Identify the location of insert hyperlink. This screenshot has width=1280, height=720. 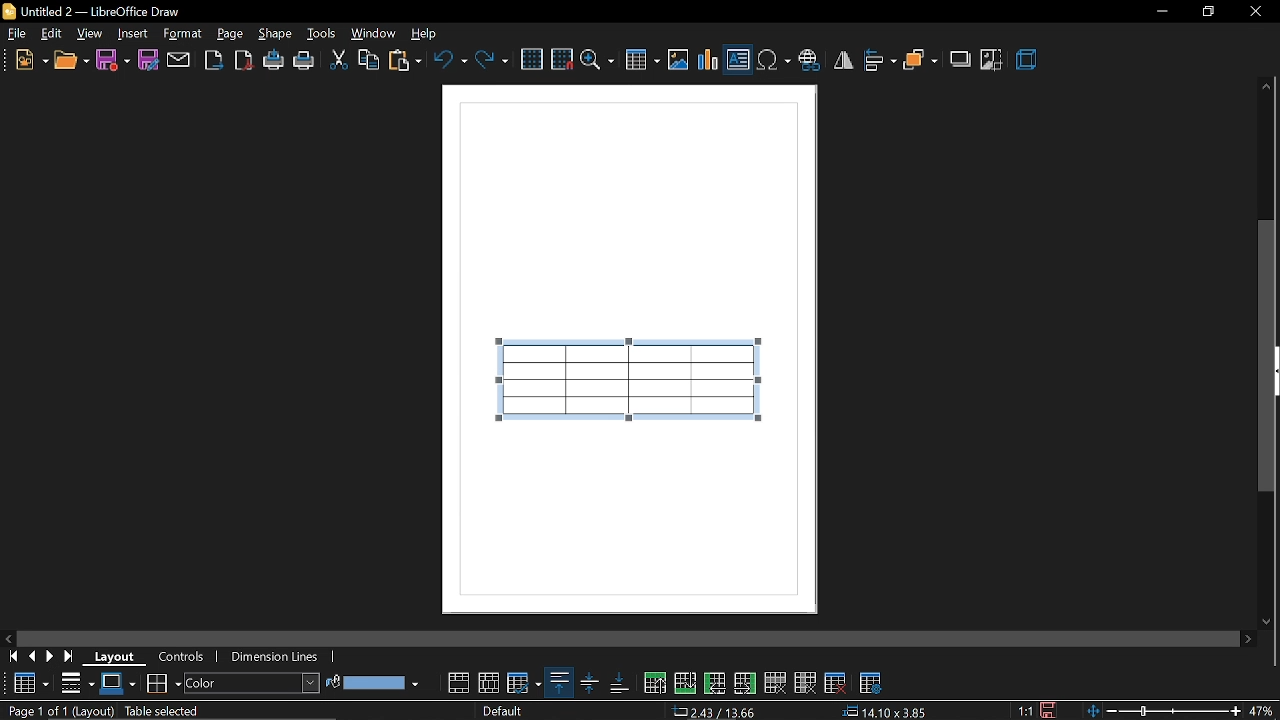
(808, 57).